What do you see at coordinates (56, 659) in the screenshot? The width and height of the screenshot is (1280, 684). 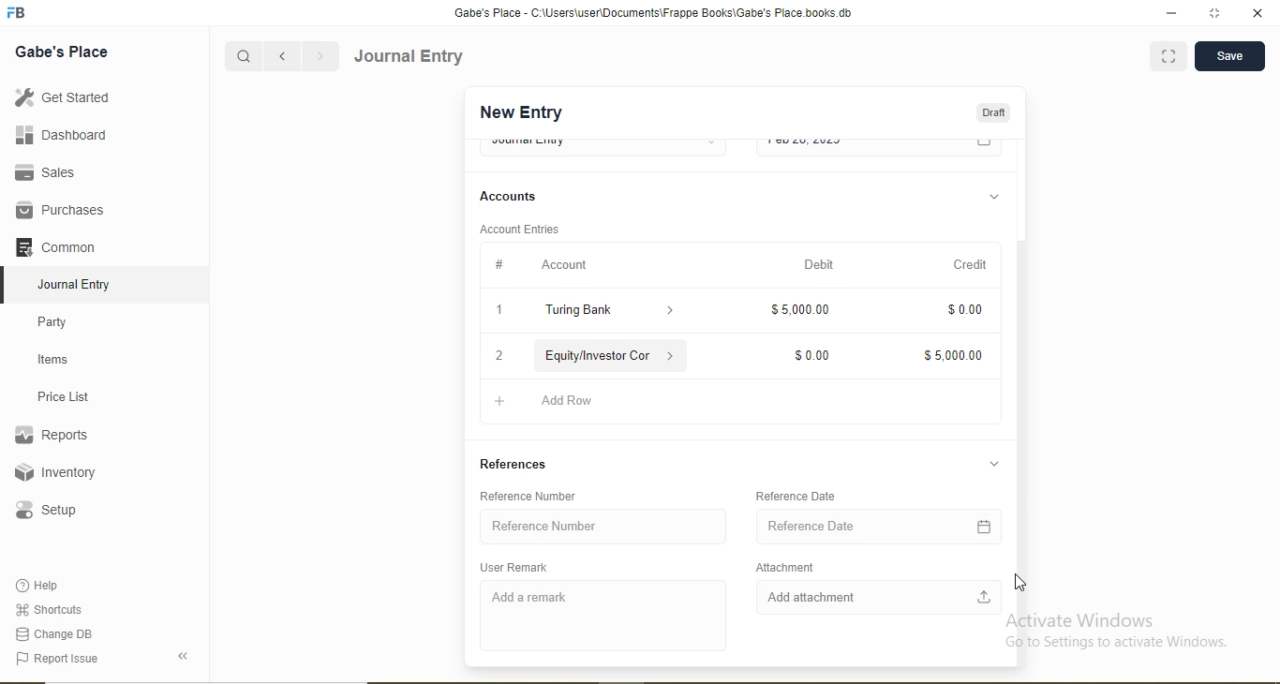 I see `Report Issue` at bounding box center [56, 659].